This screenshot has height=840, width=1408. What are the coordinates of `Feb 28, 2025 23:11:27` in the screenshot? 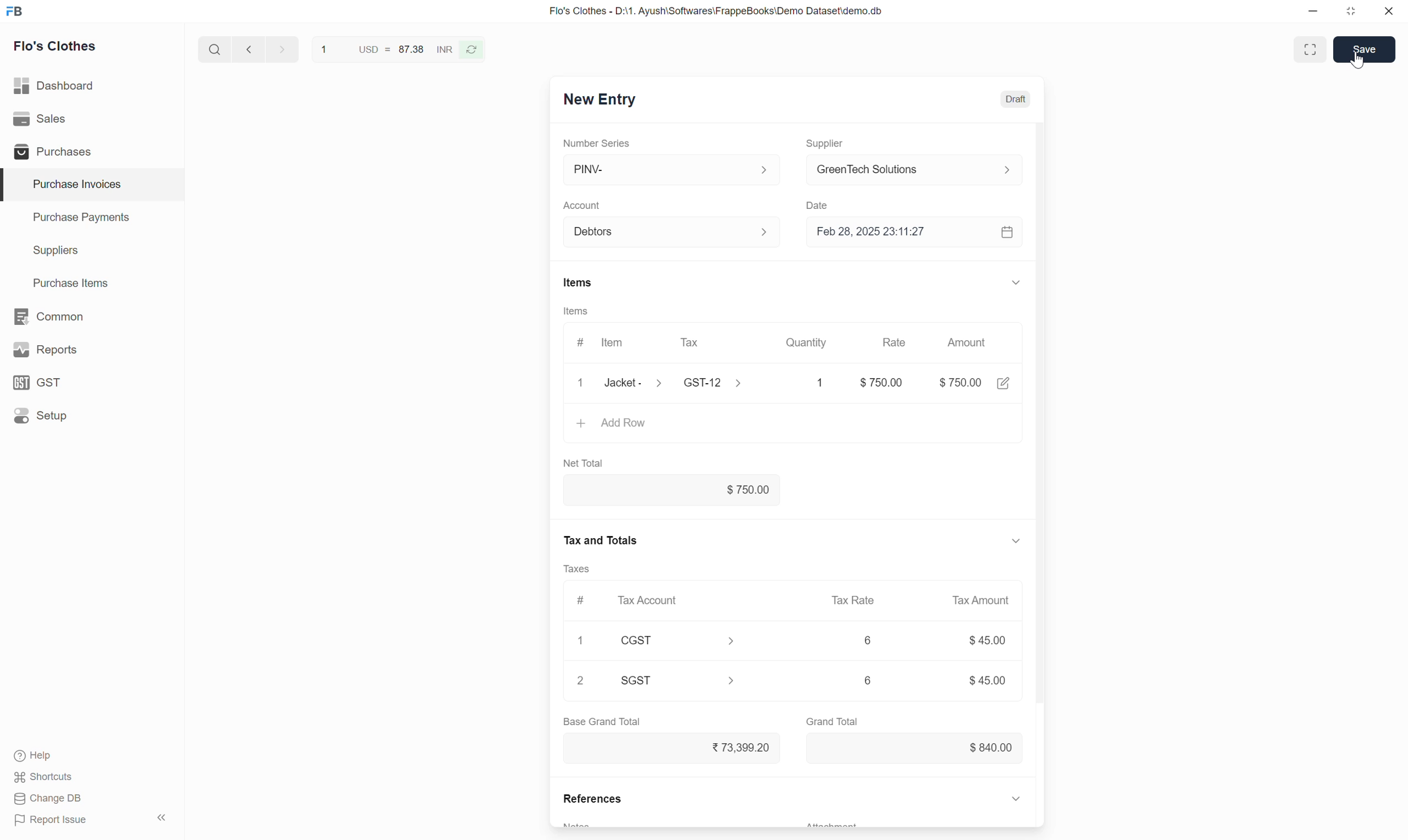 It's located at (902, 232).